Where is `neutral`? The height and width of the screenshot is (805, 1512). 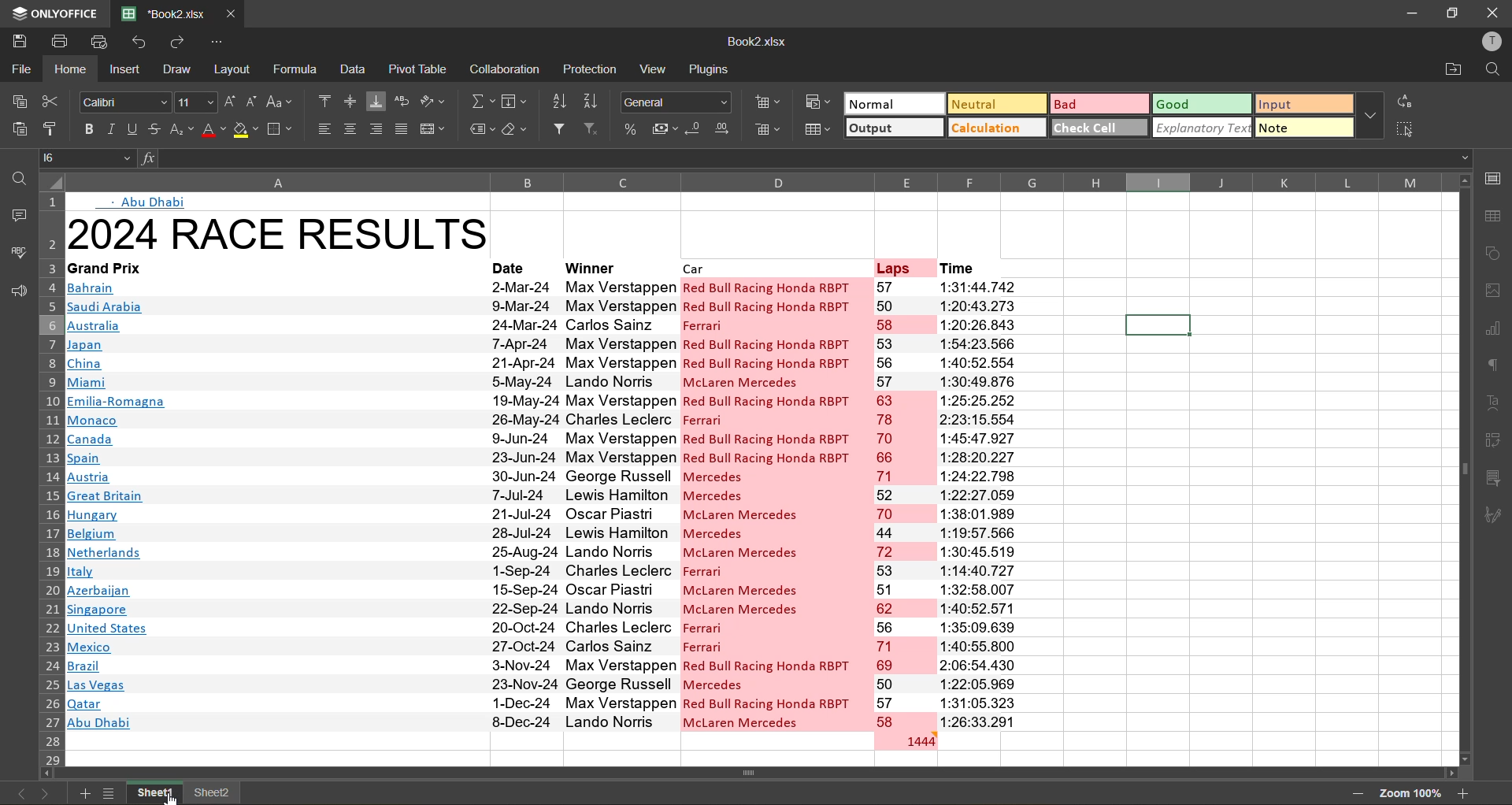 neutral is located at coordinates (995, 106).